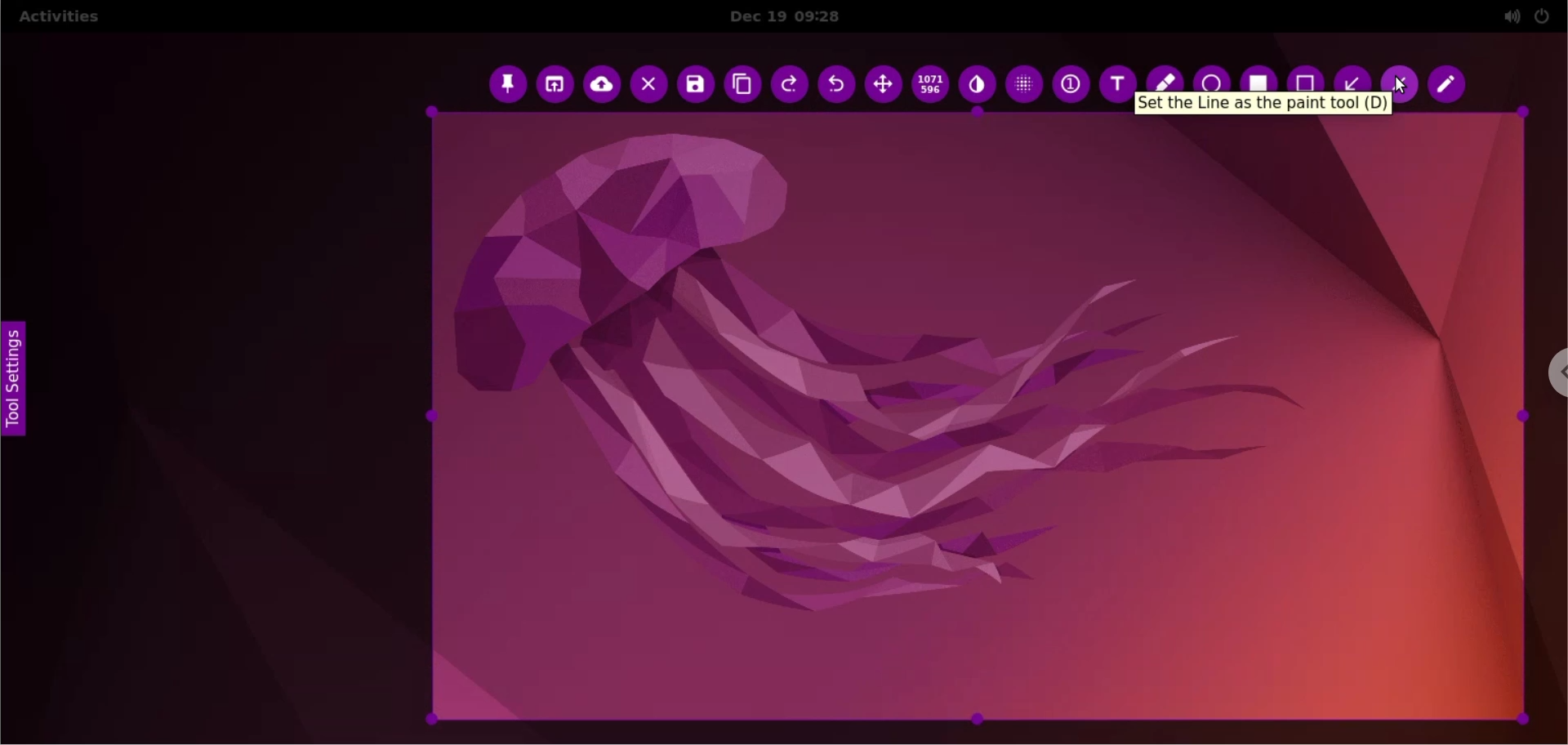 The image size is (1568, 745). I want to click on tool settings, so click(19, 384).